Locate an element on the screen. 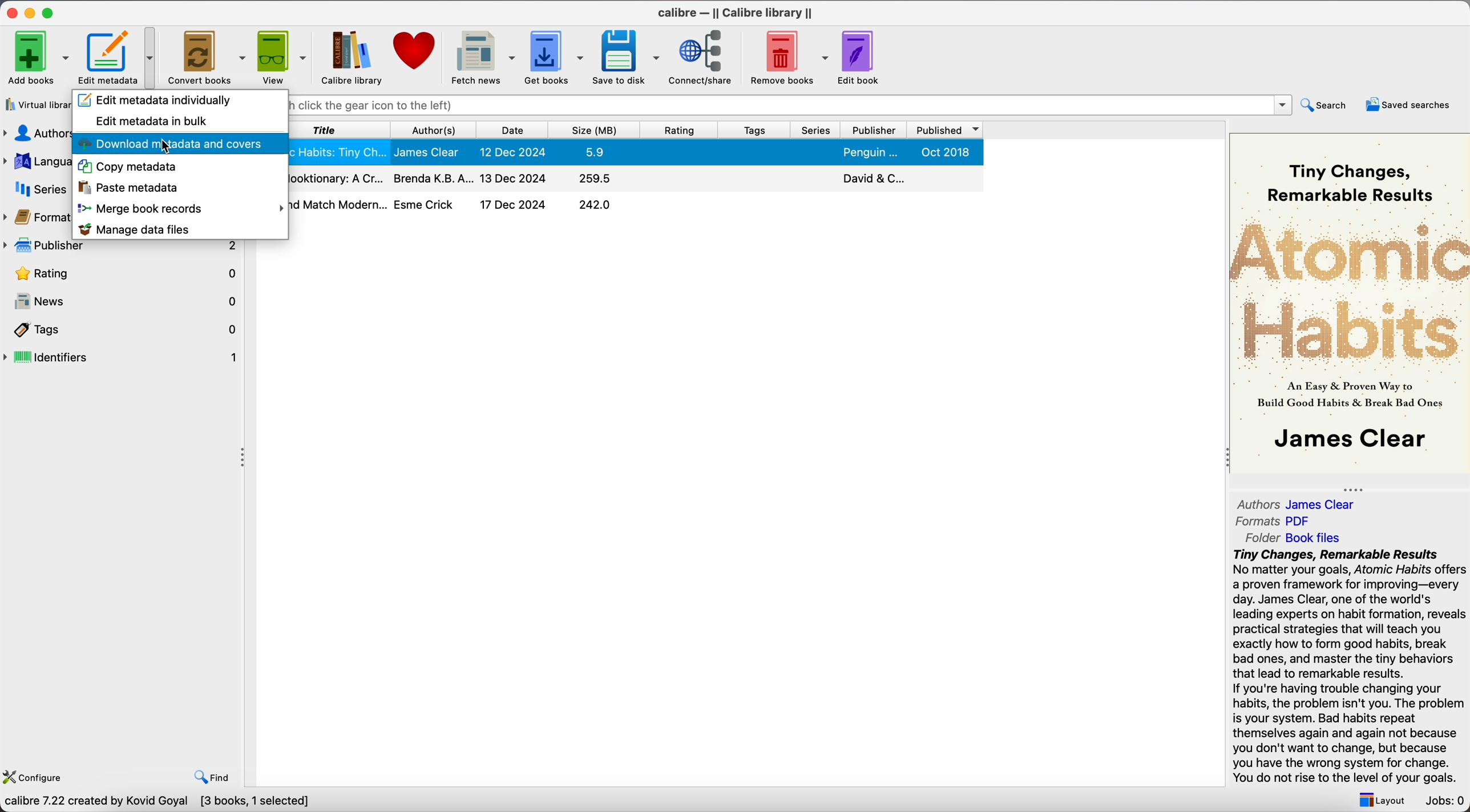 This screenshot has width=1470, height=812. layout is located at coordinates (1381, 801).